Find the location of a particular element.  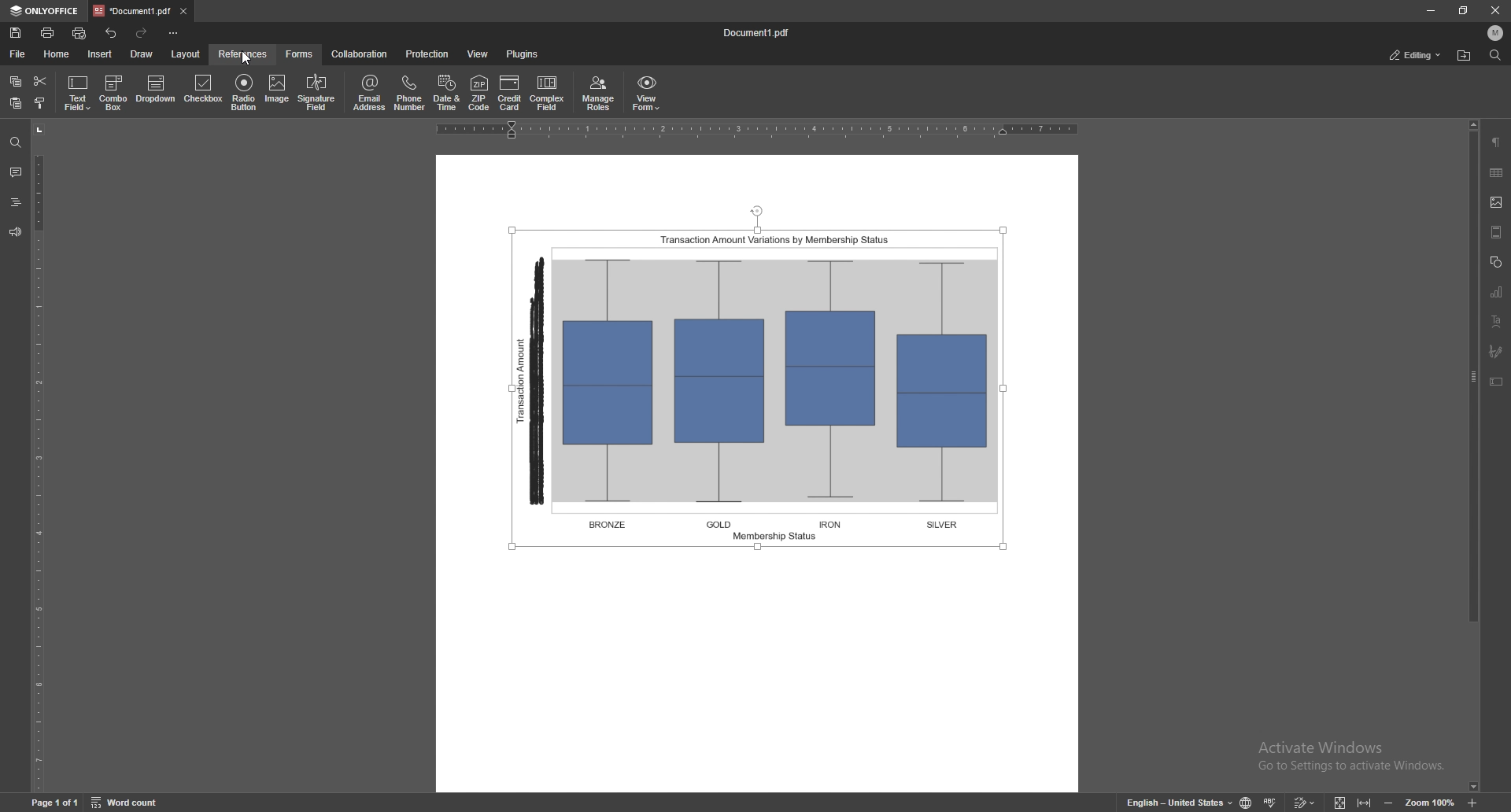

insert is located at coordinates (100, 54).